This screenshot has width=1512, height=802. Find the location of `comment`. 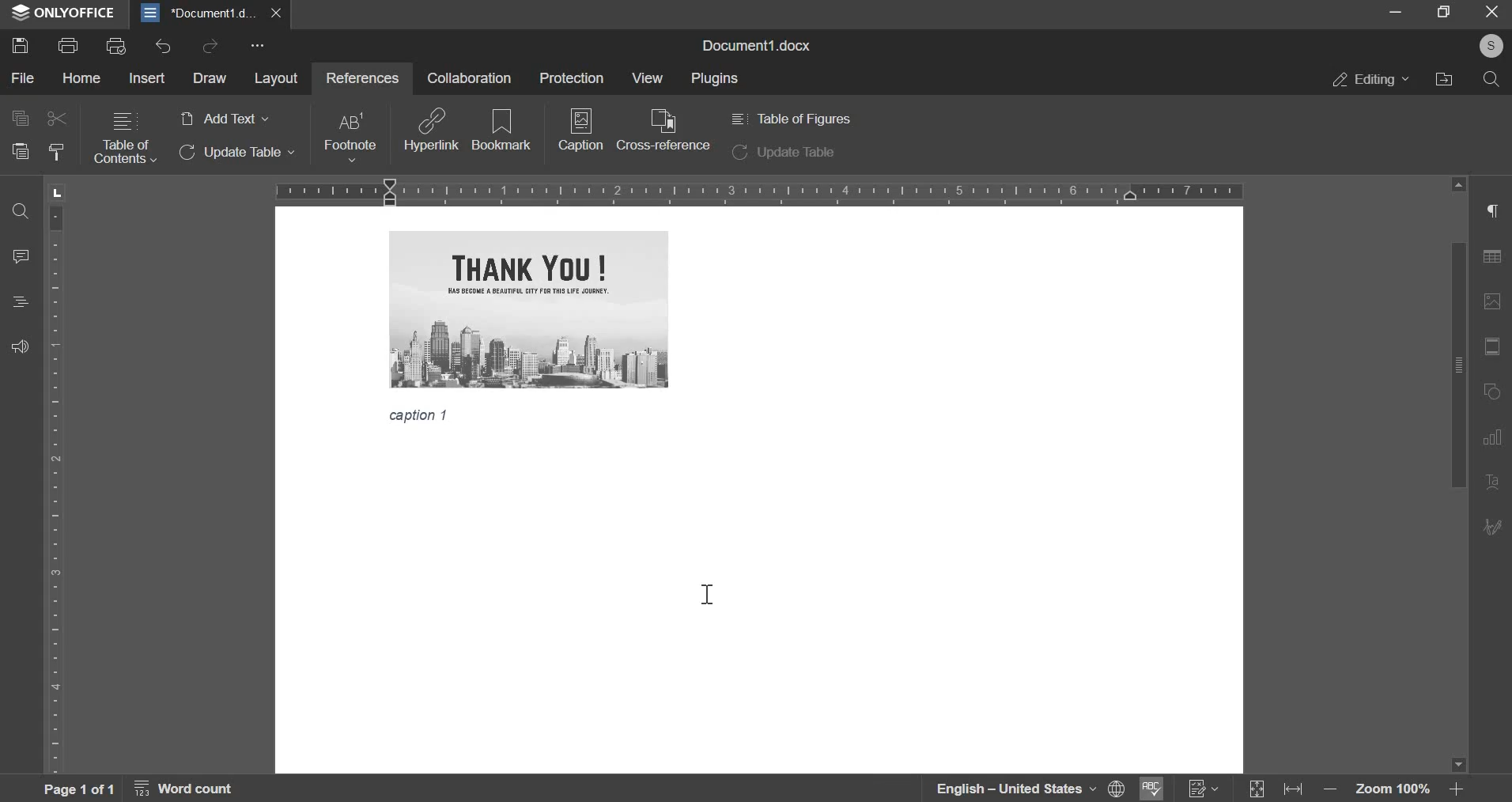

comment is located at coordinates (22, 255).